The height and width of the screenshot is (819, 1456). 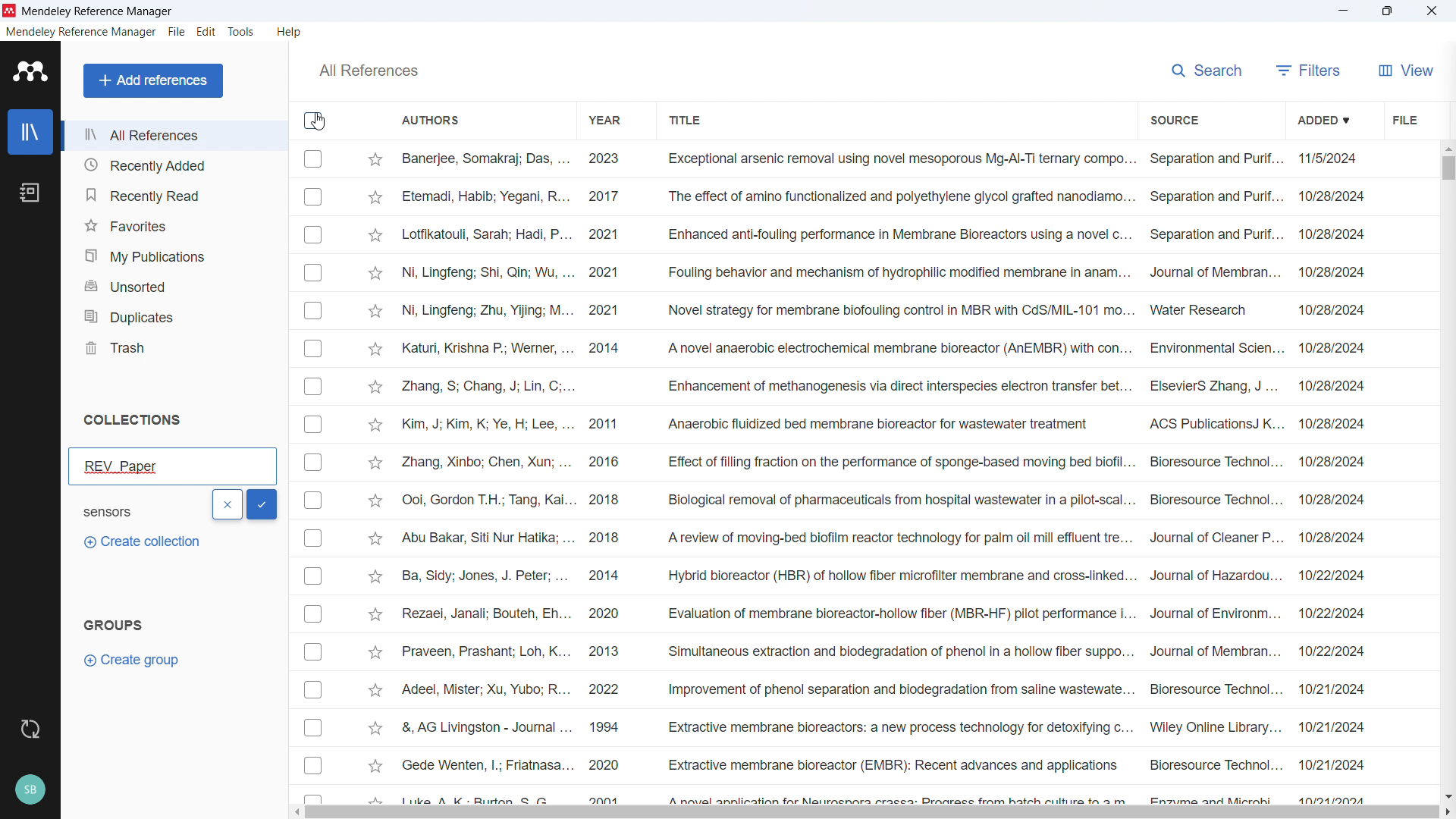 I want to click on Star mark respective publication, so click(x=375, y=463).